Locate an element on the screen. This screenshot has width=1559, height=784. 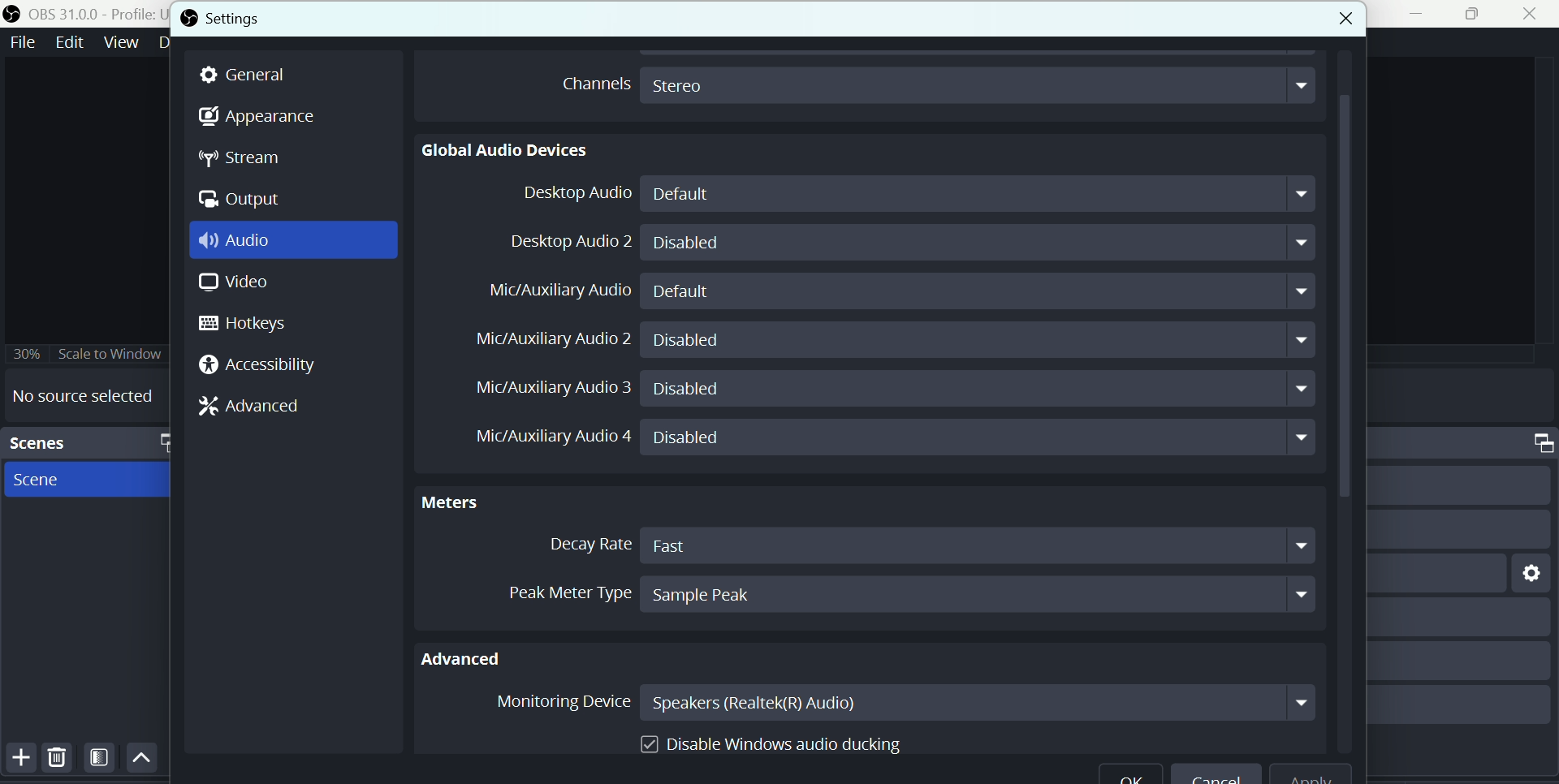
general is located at coordinates (252, 75).